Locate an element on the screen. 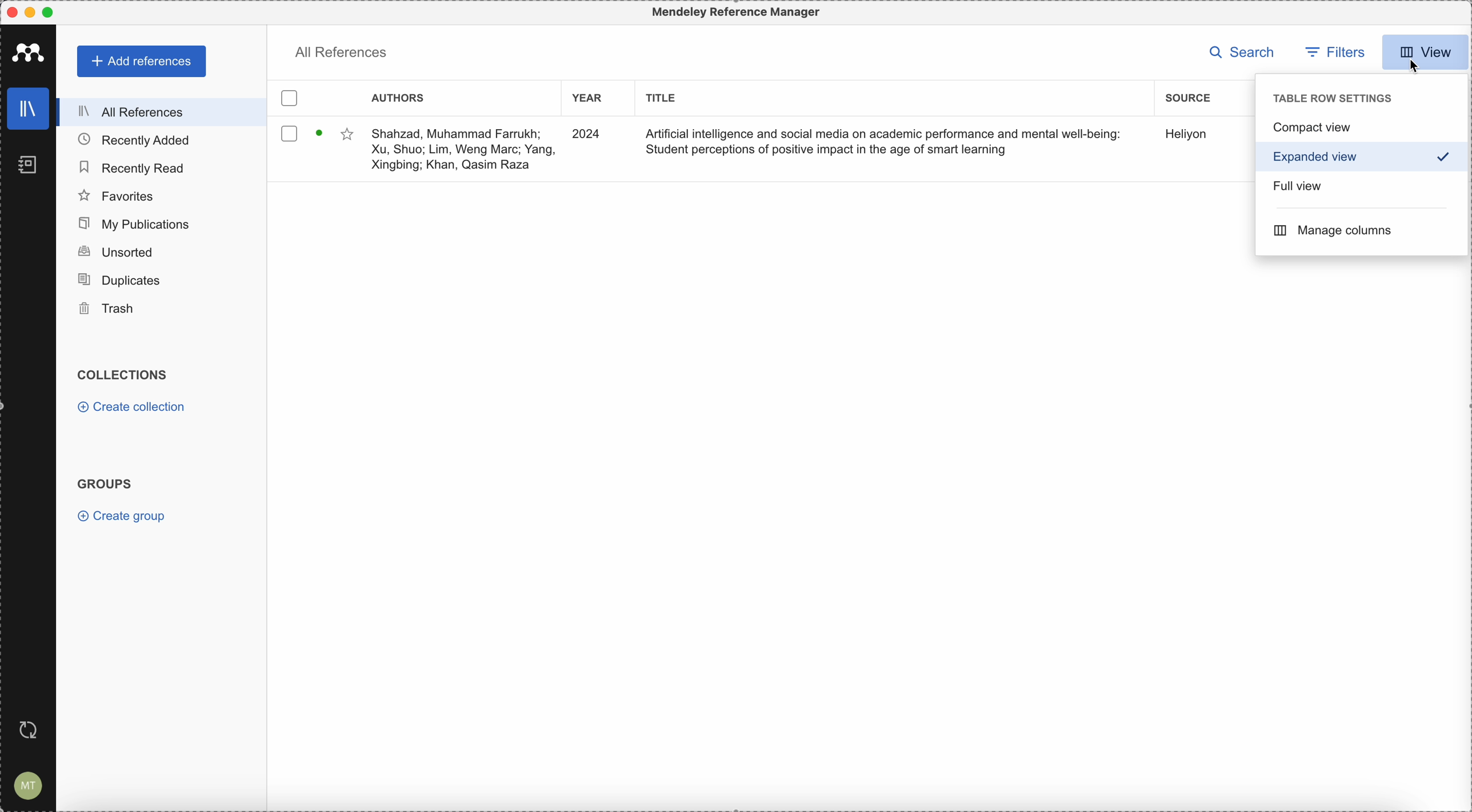 The image size is (1472, 812). all references is located at coordinates (343, 51).